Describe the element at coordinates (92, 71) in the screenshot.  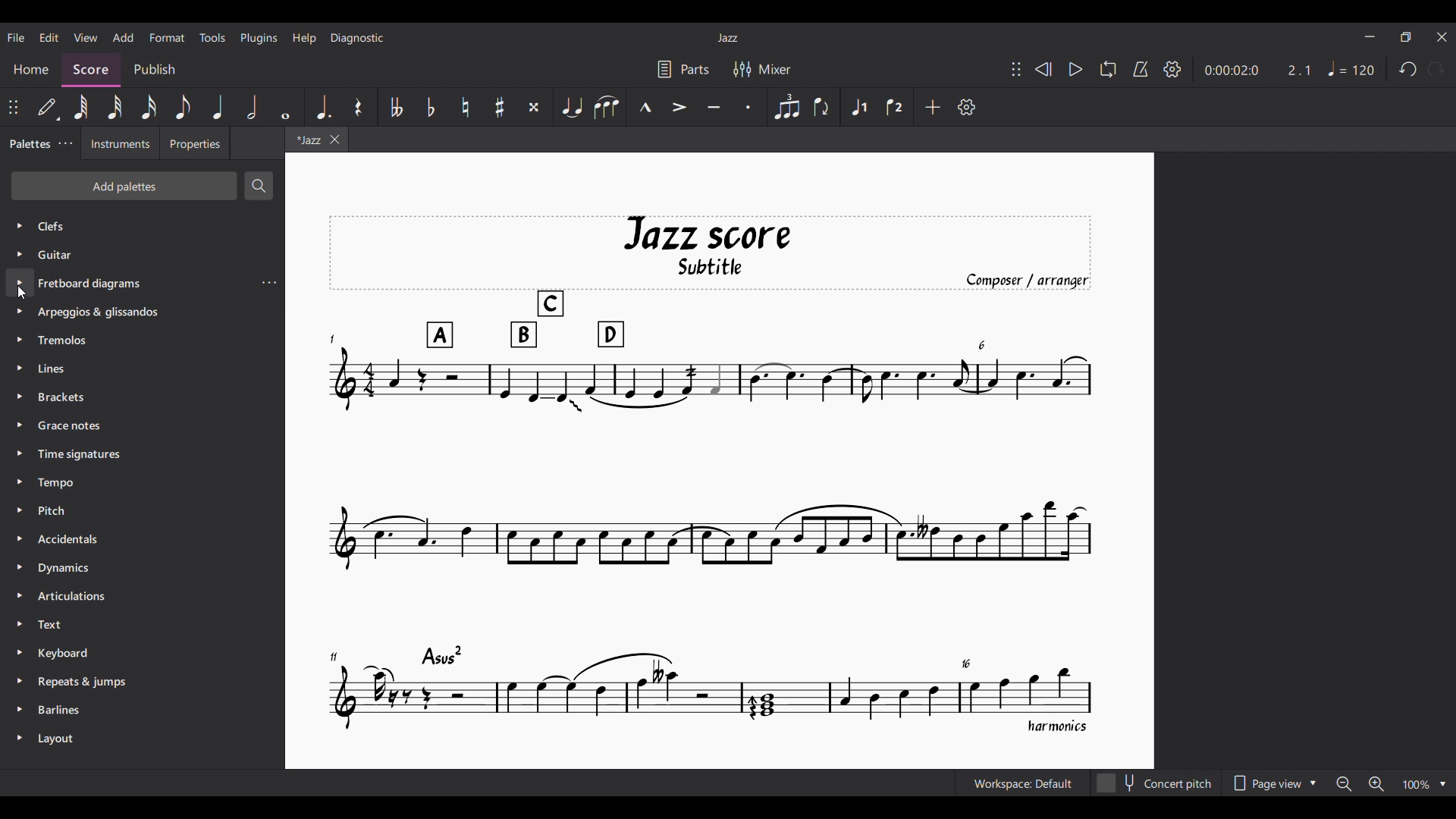
I see `Score, current section highlighted` at that location.